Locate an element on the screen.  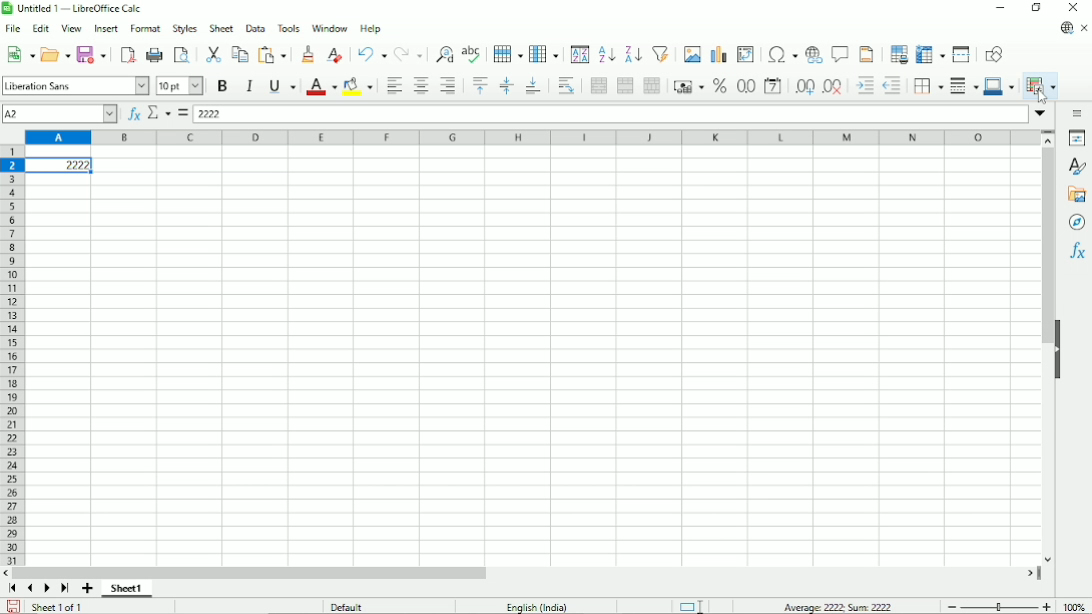
Border style is located at coordinates (963, 87).